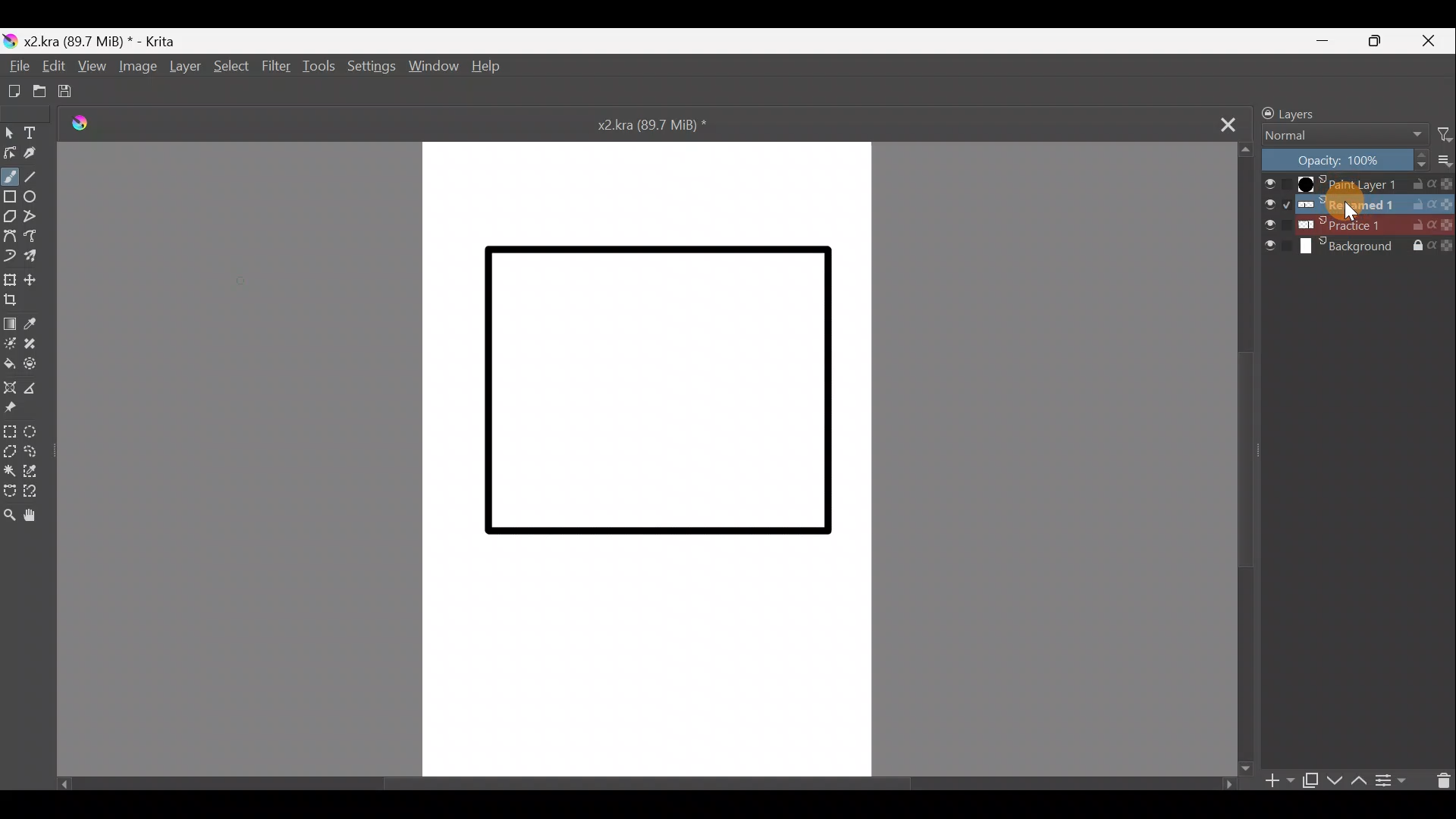 The width and height of the screenshot is (1456, 819). Describe the element at coordinates (36, 156) in the screenshot. I see `Calligraphy` at that location.